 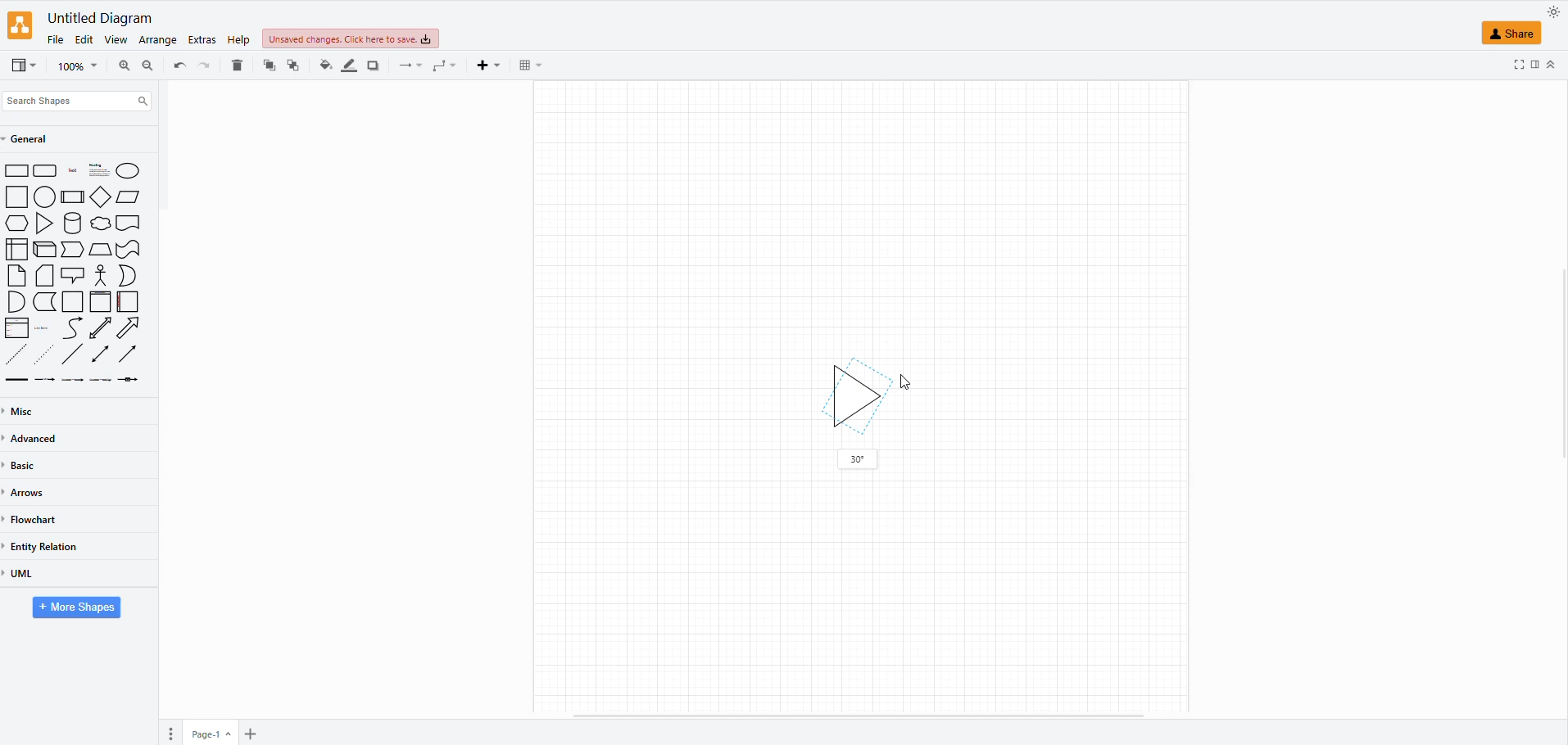 I want to click on Rectangle, so click(x=17, y=171).